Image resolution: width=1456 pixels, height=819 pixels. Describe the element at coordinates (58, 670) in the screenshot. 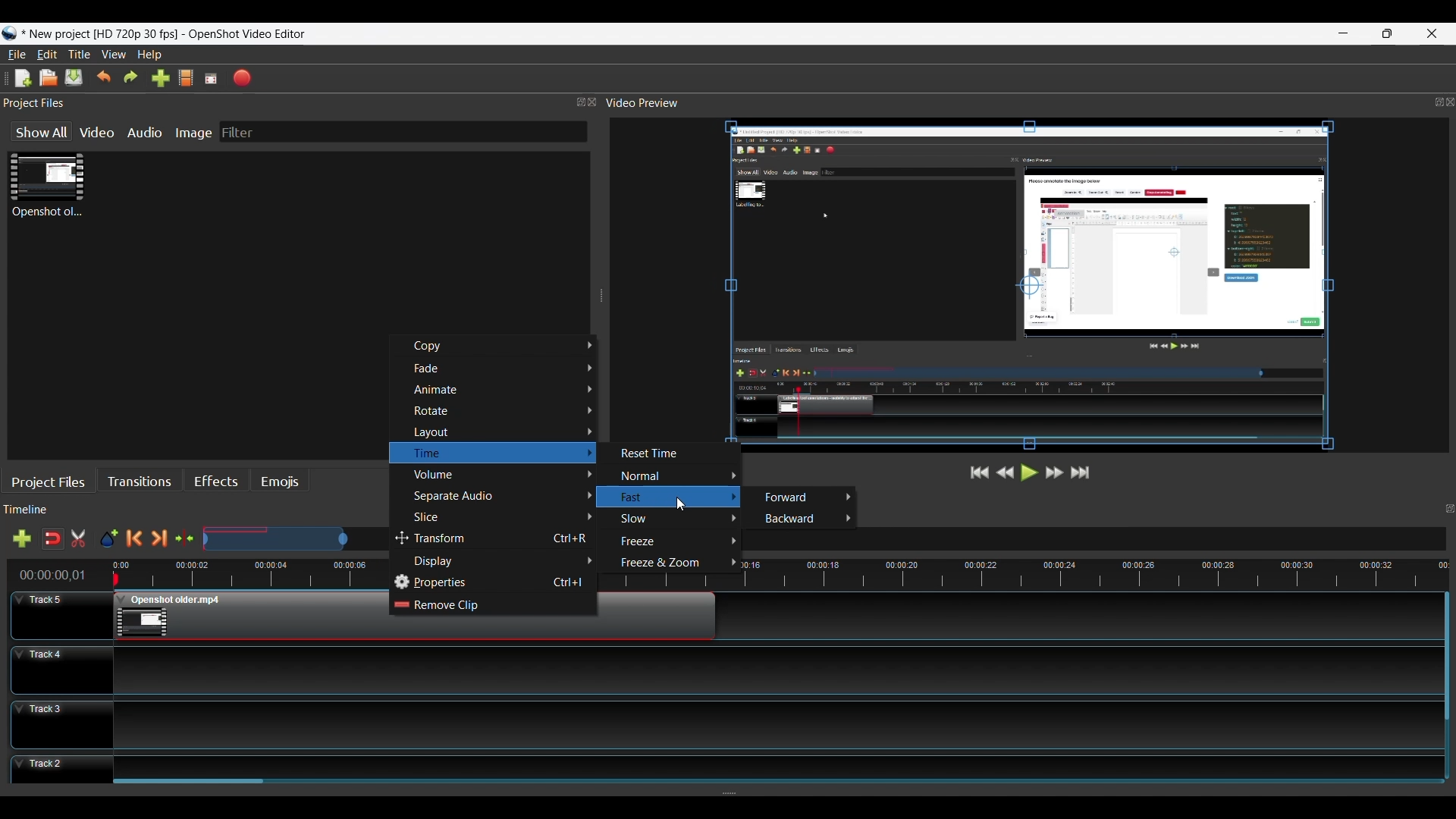

I see `Track Header` at that location.